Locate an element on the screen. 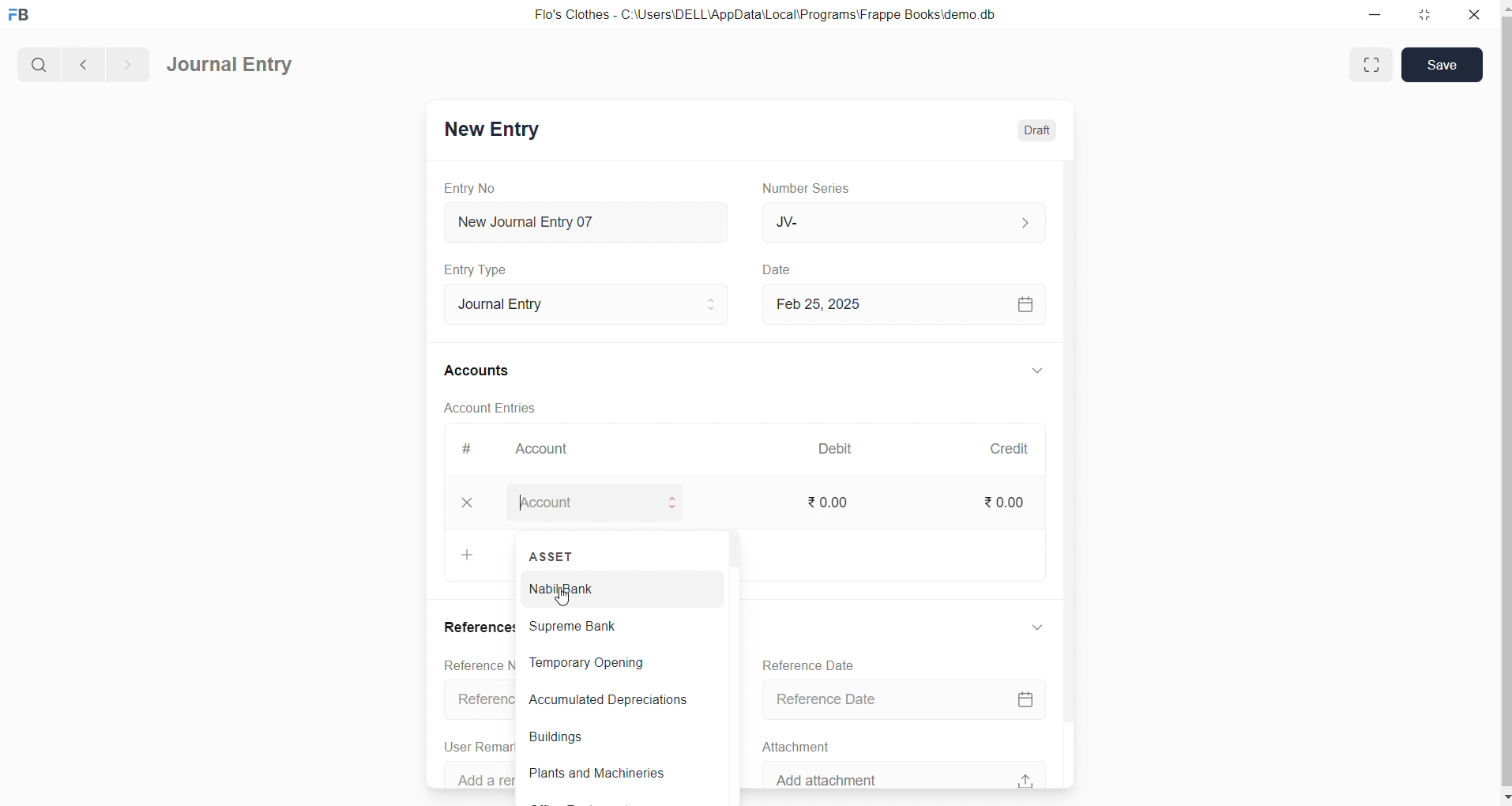 The height and width of the screenshot is (806, 1512). Entry No is located at coordinates (473, 187).